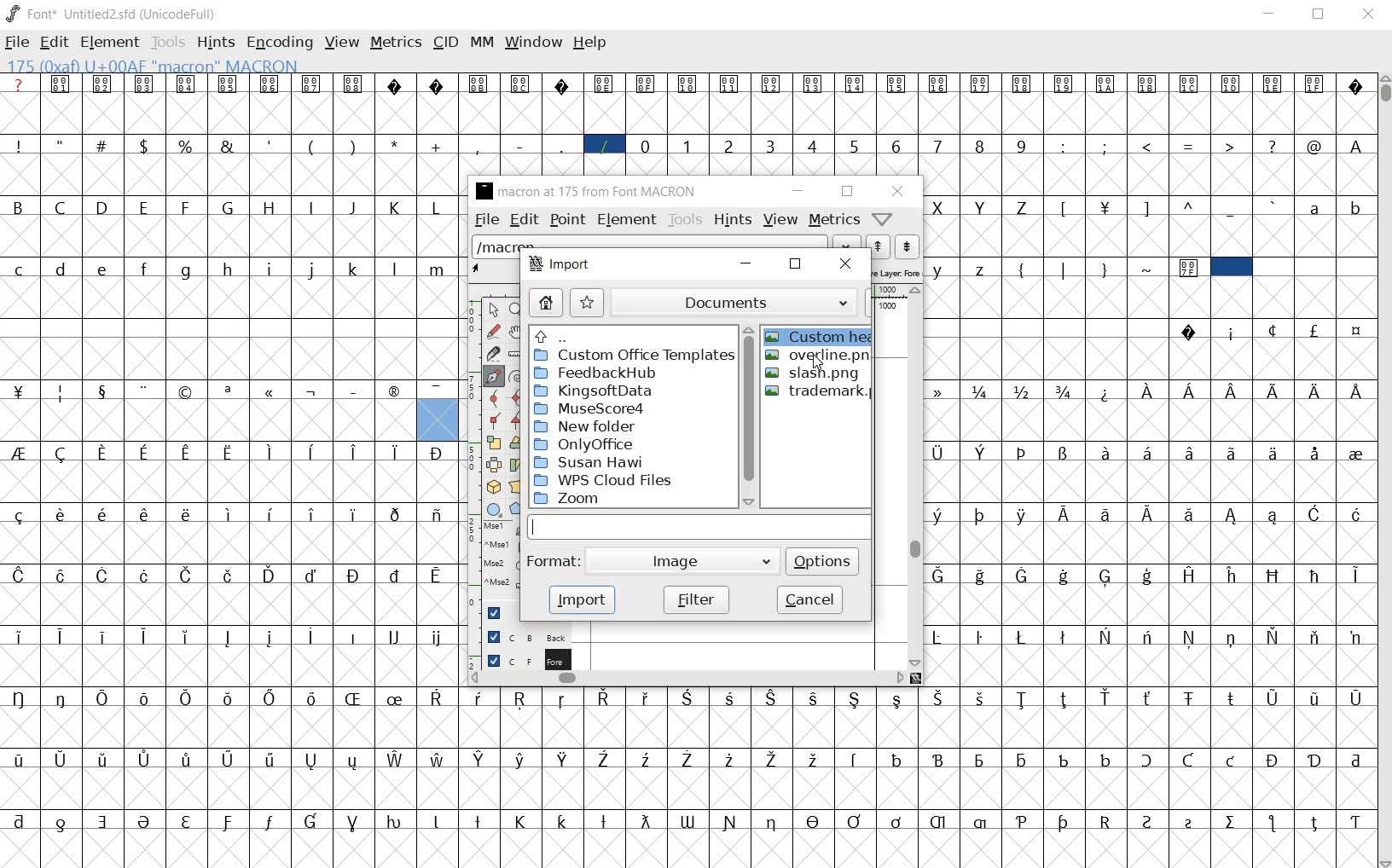 Image resolution: width=1392 pixels, height=868 pixels. Describe the element at coordinates (1354, 756) in the screenshot. I see `Symbol` at that location.